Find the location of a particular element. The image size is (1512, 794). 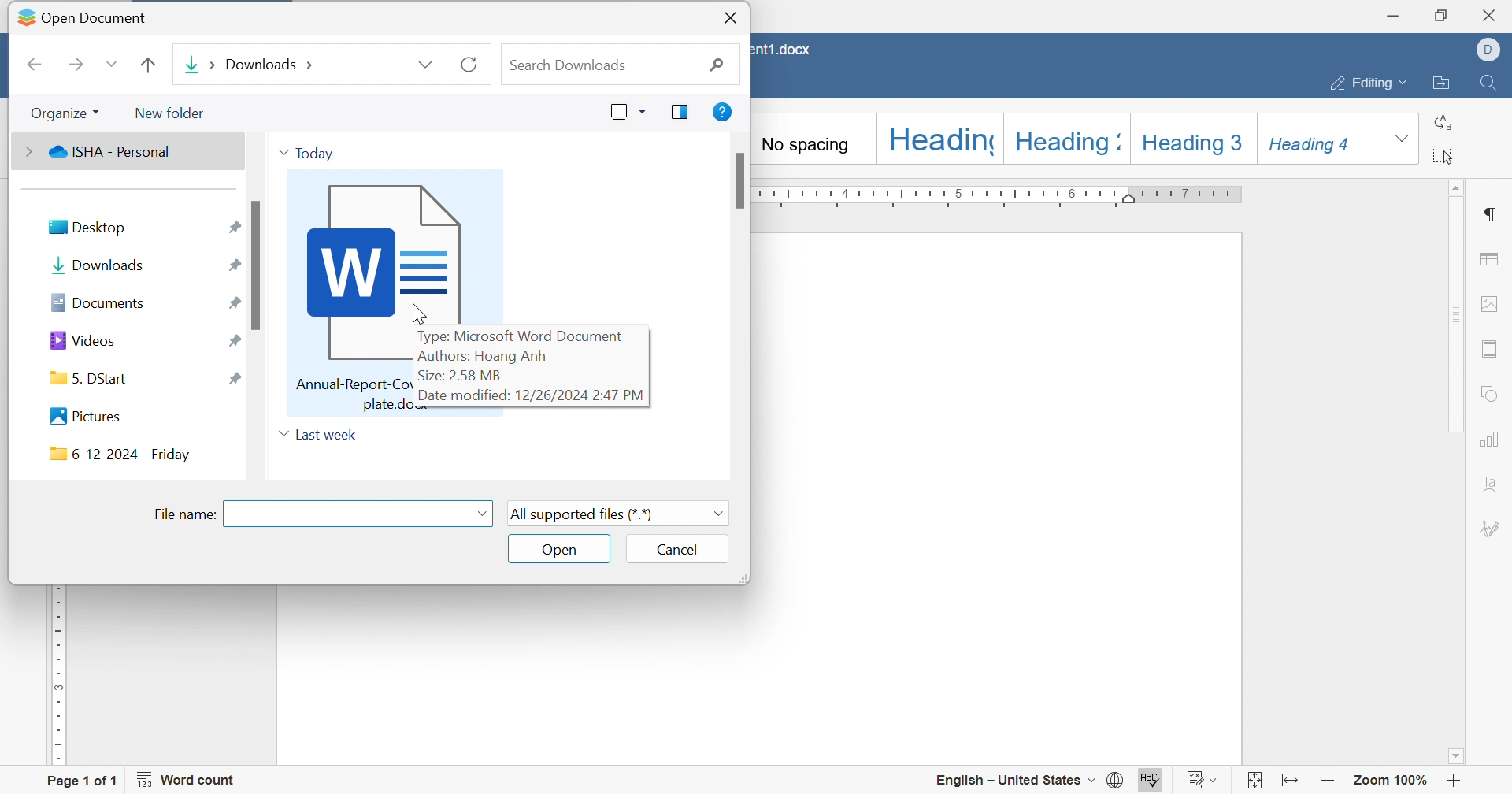

text art settings is located at coordinates (1492, 486).